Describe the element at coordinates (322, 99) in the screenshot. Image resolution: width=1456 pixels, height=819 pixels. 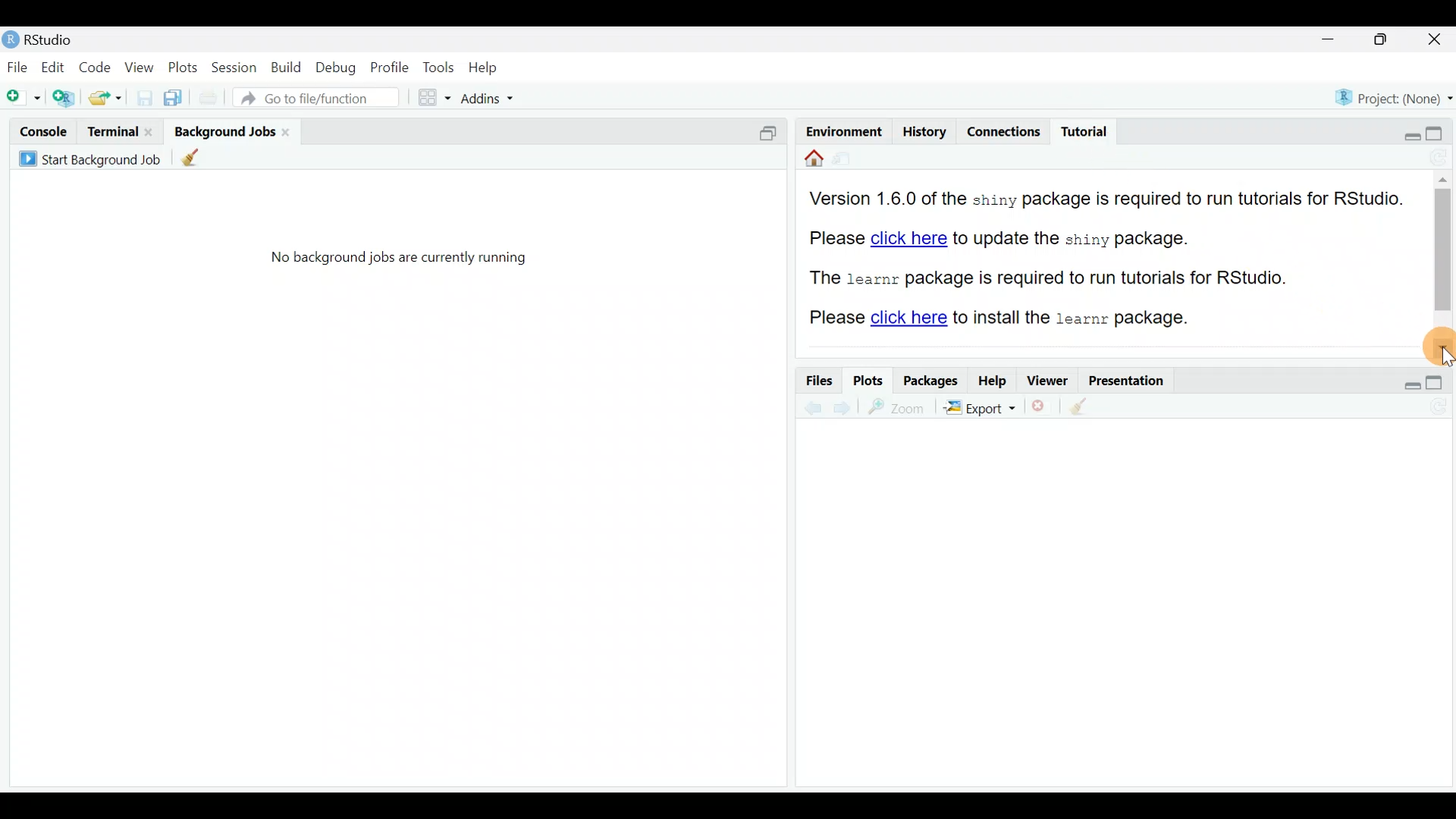
I see `Go to file/function` at that location.